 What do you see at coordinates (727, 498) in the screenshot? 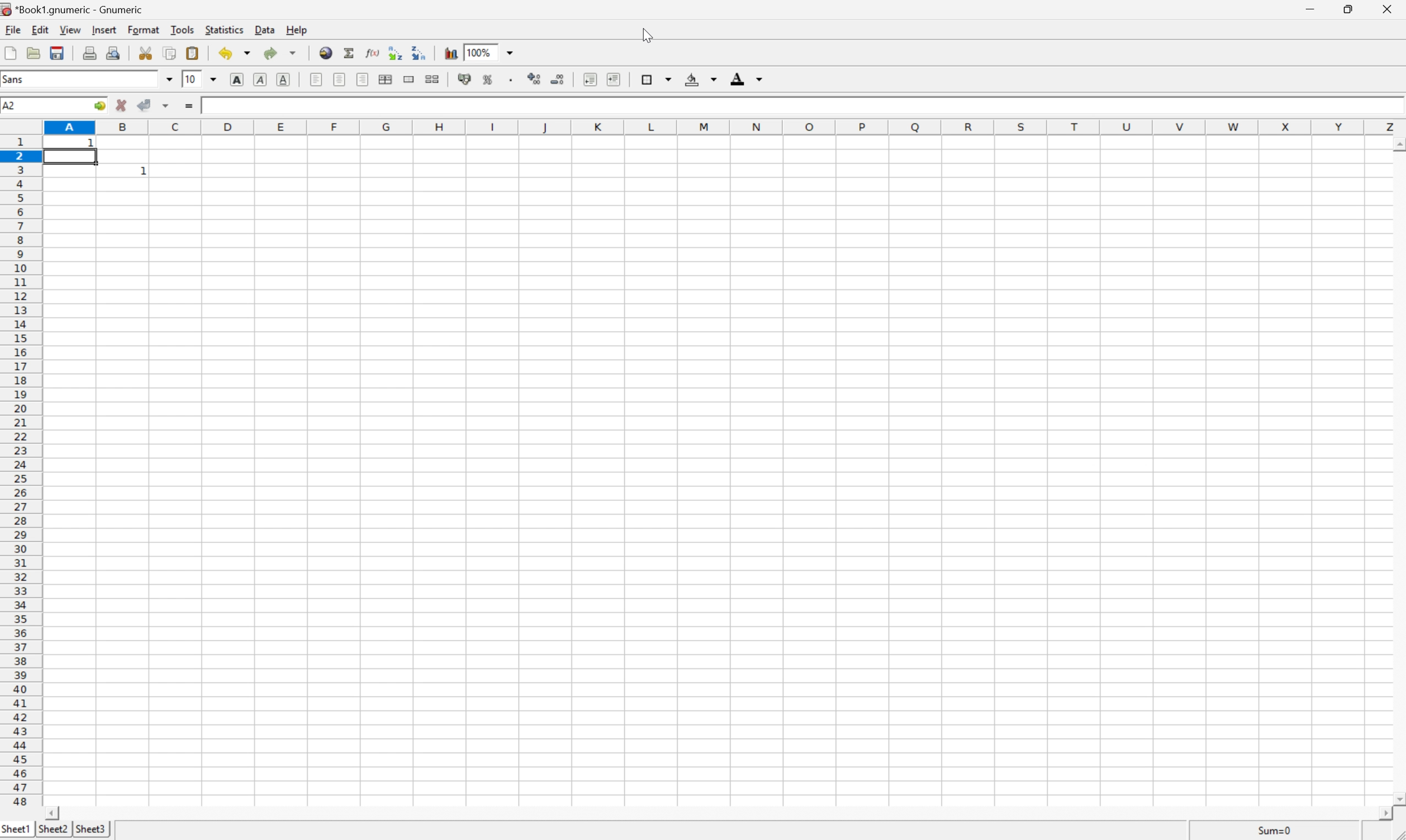
I see `Cells` at bounding box center [727, 498].